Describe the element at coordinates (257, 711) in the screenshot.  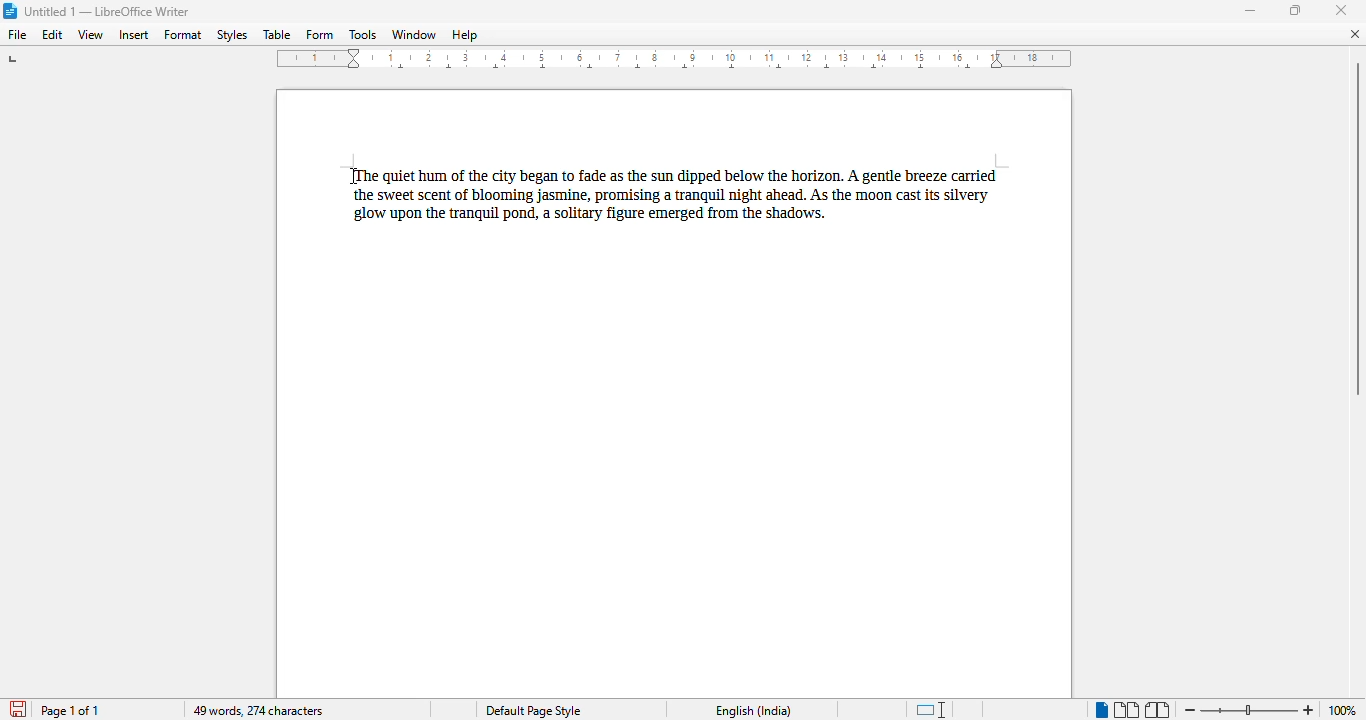
I see `49 words, 274 characters` at that location.